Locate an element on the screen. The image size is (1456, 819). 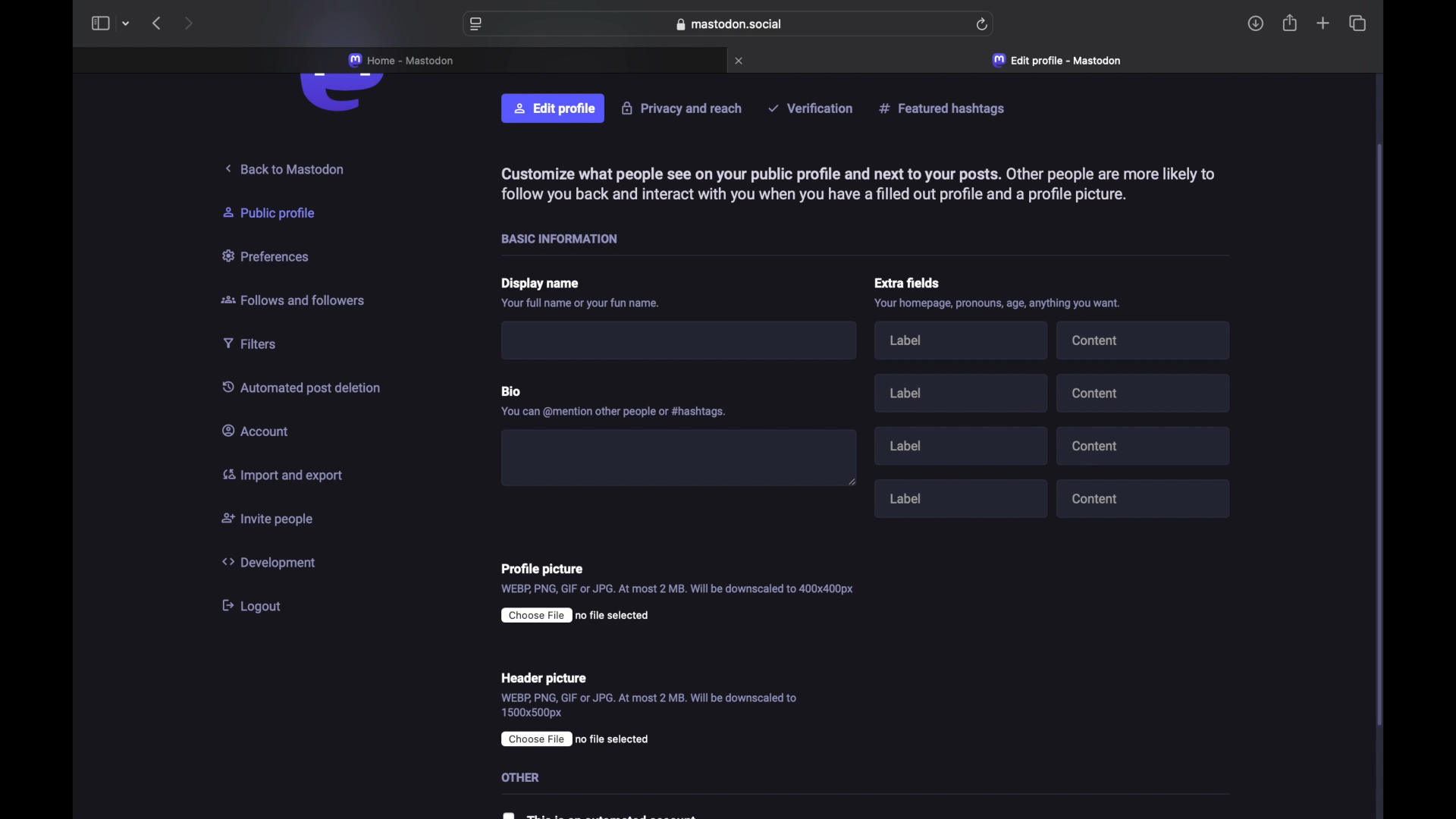
sidebar is located at coordinates (99, 24).